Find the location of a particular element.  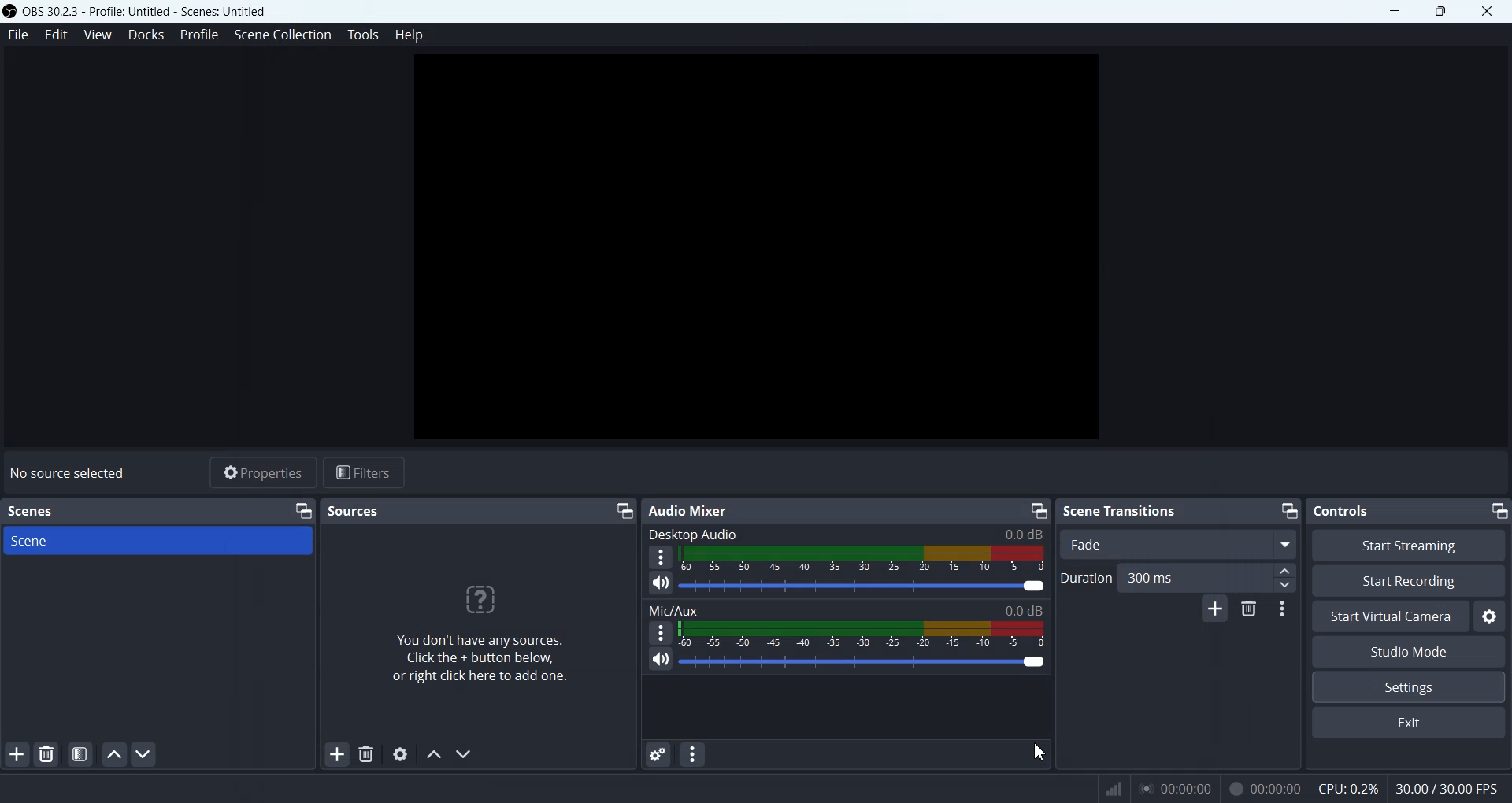

You don't have any sources.
Click the + button below,
or right click here to add one. is located at coordinates (472, 639).